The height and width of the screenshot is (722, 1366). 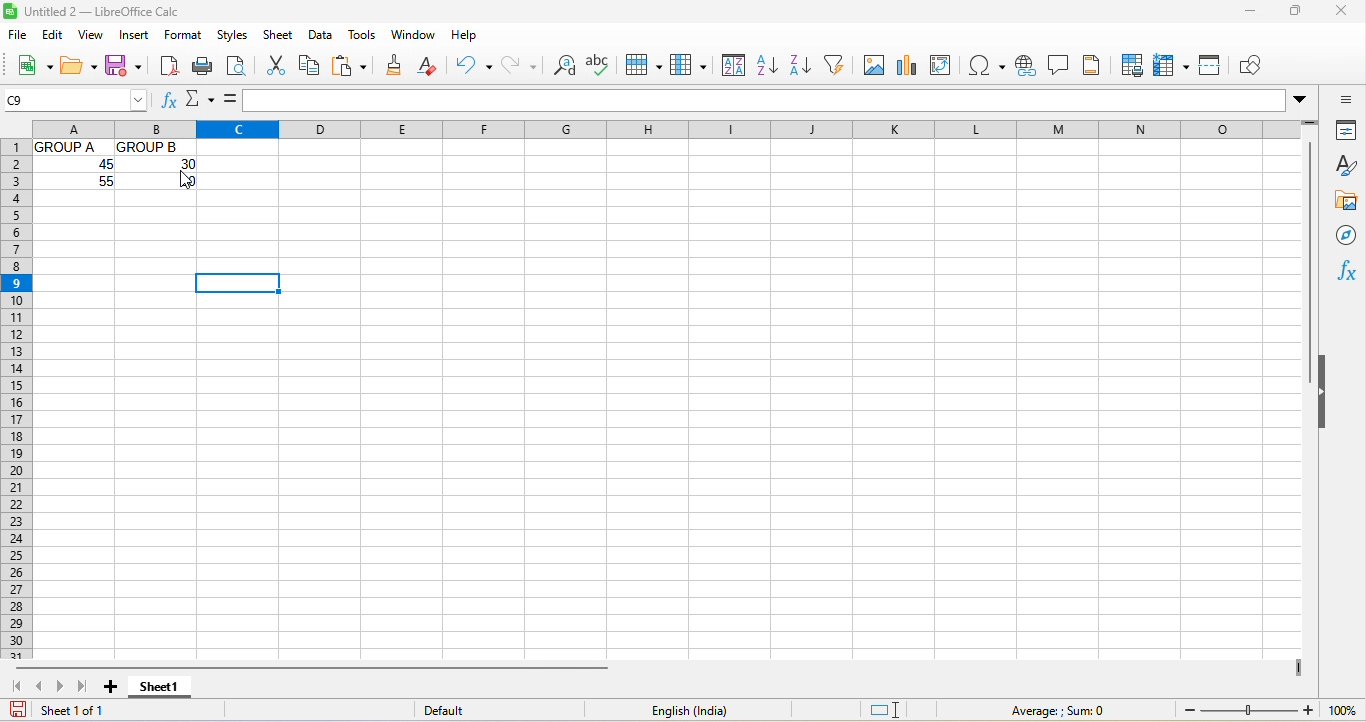 I want to click on hide, so click(x=1323, y=391).